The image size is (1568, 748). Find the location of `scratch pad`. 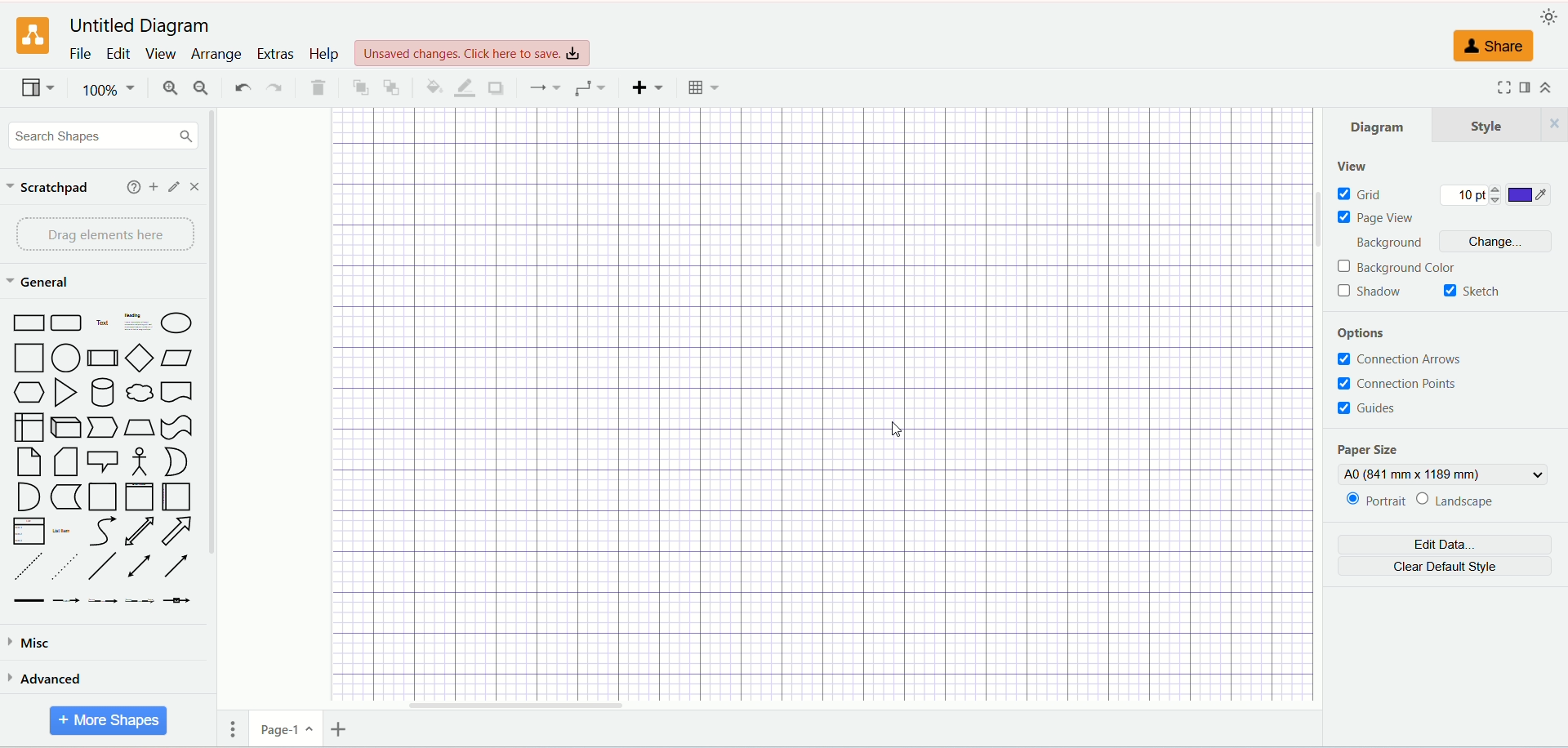

scratch pad is located at coordinates (49, 189).